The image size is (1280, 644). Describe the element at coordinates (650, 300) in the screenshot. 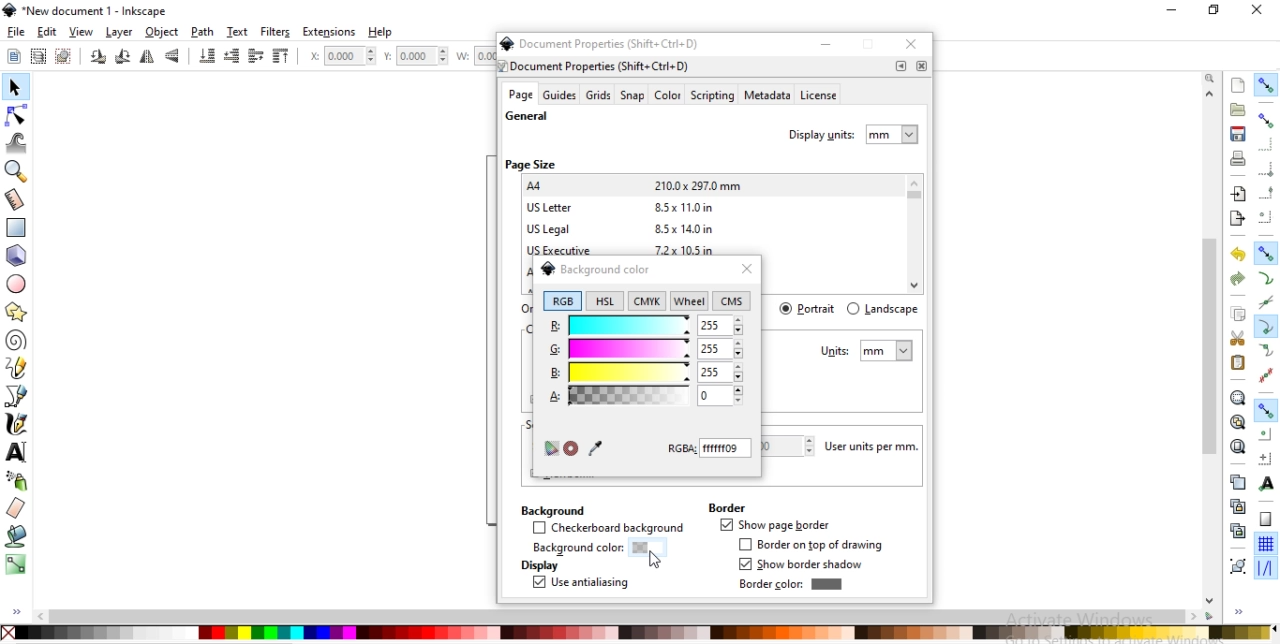

I see `myk` at that location.